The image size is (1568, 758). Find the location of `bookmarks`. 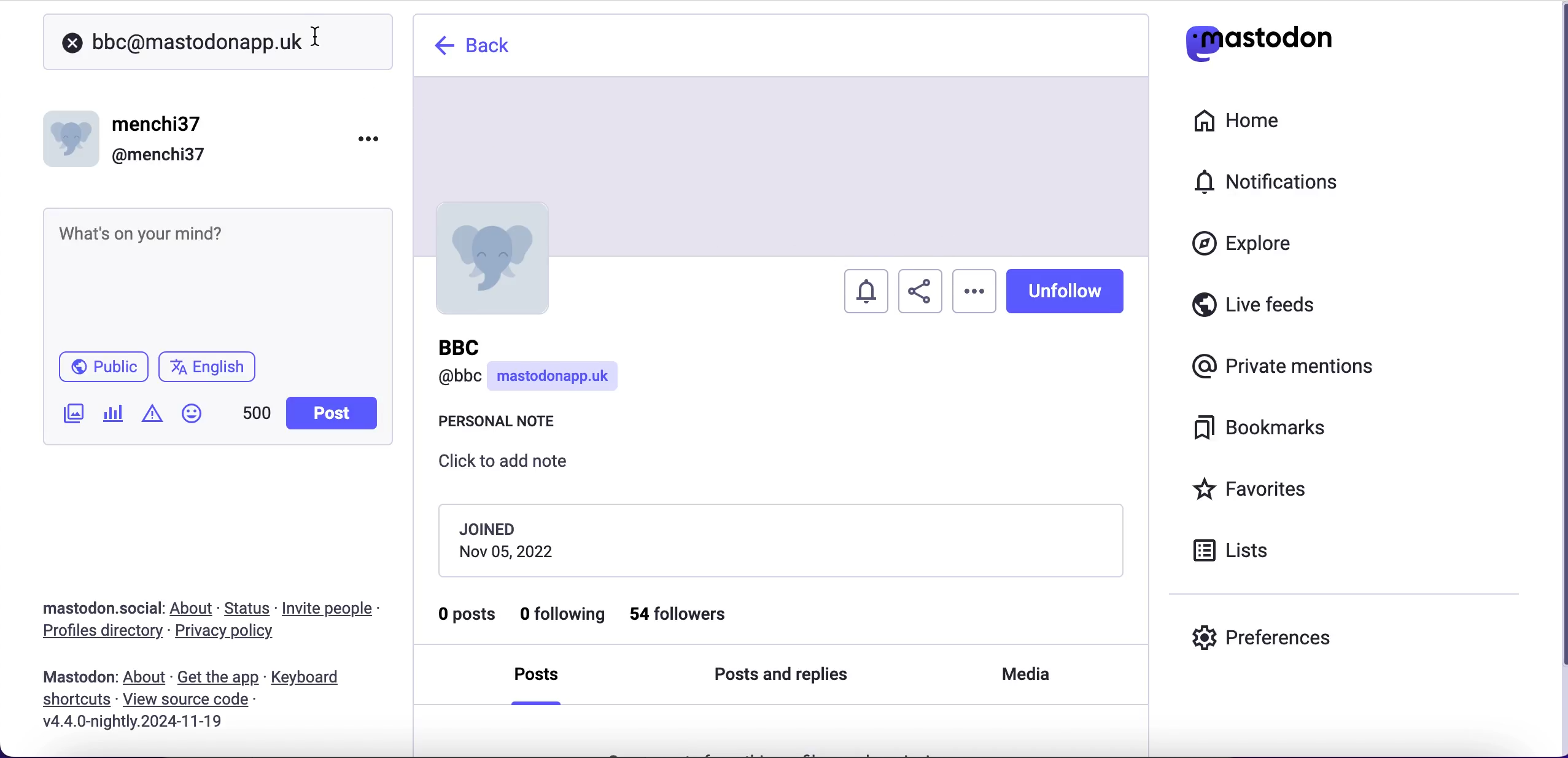

bookmarks is located at coordinates (1263, 428).